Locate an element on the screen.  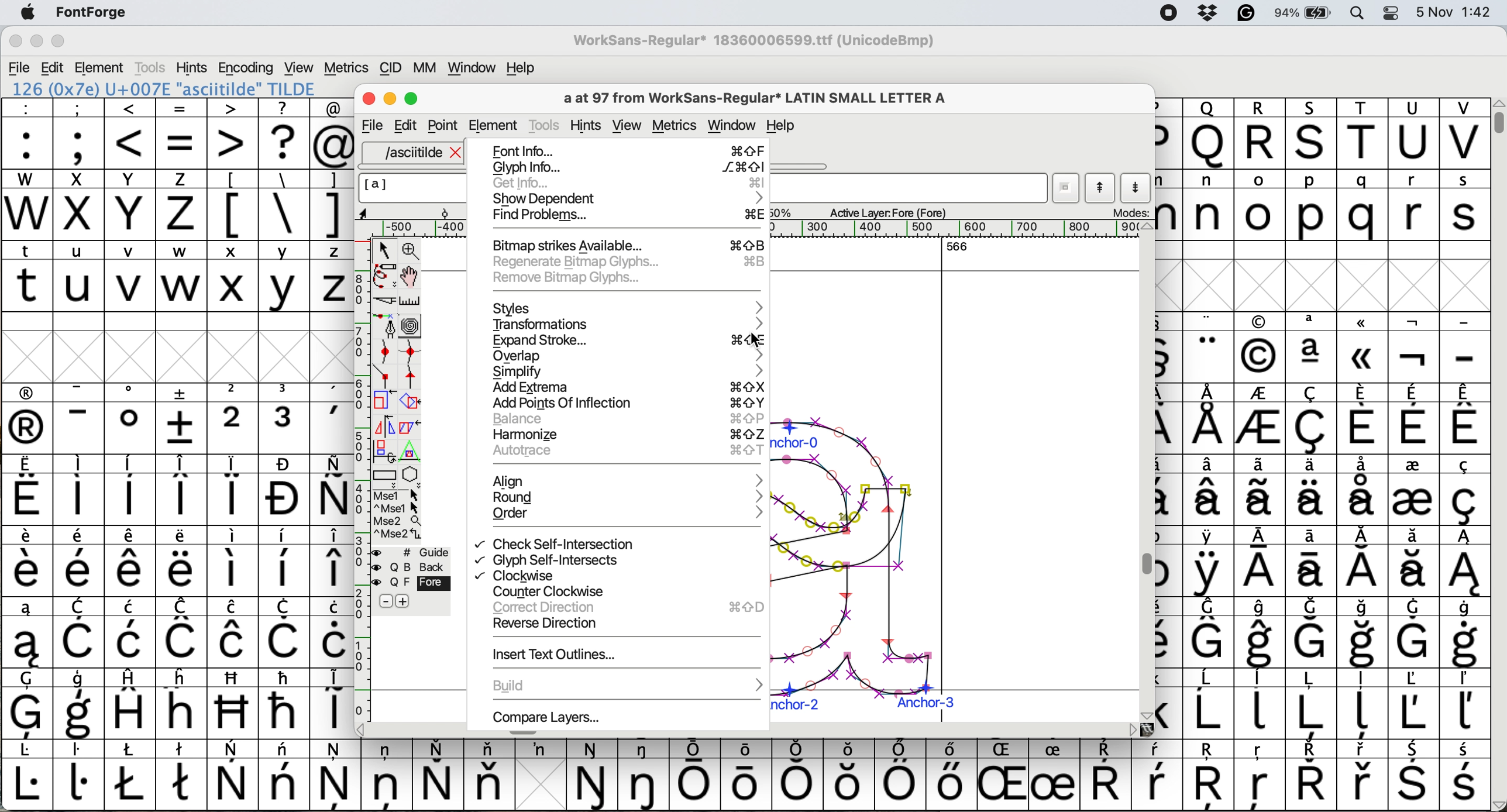
T is located at coordinates (1365, 135).